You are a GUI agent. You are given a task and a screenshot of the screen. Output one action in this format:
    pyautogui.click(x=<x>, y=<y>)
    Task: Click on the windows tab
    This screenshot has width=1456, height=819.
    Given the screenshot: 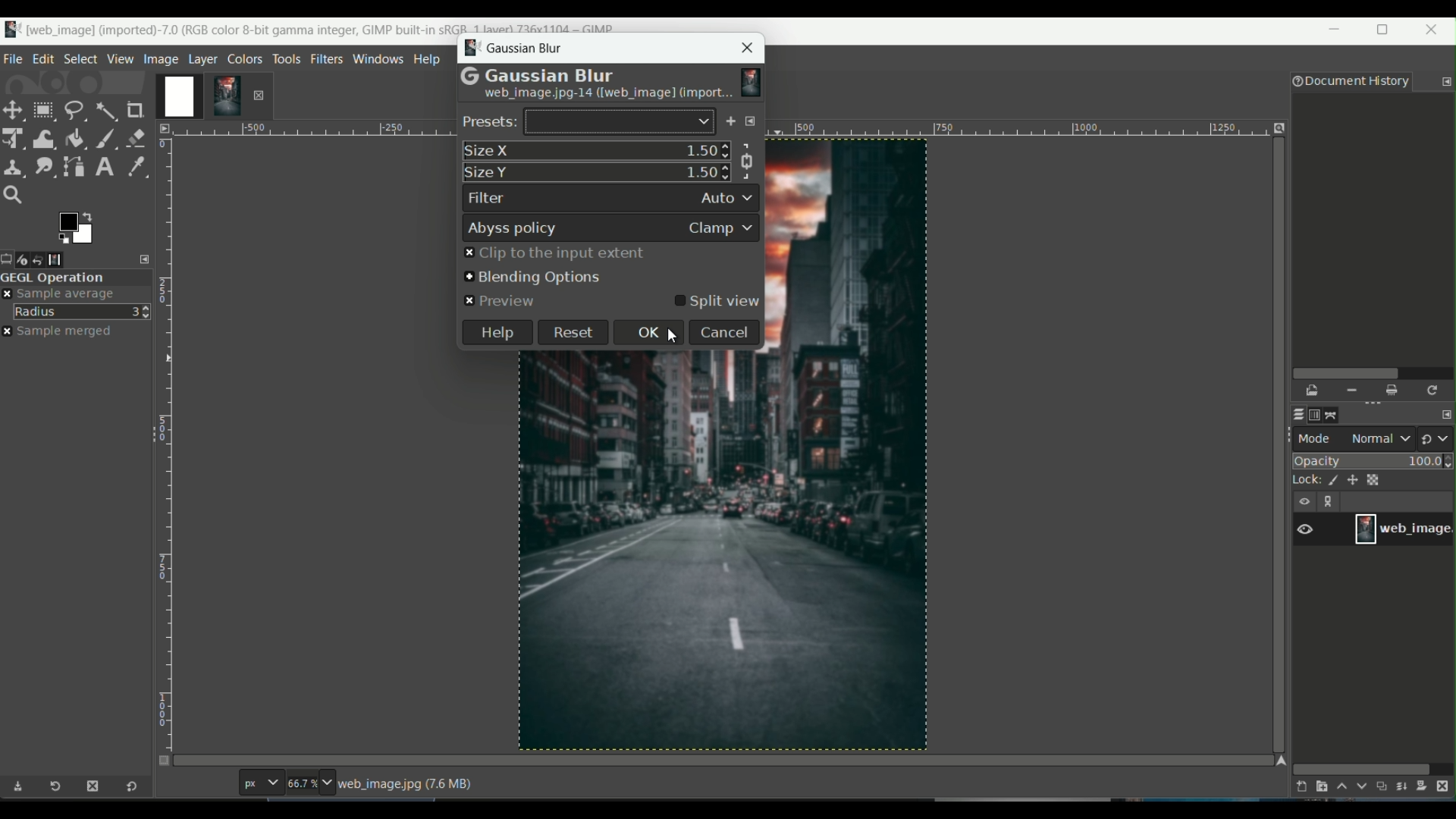 What is the action you would take?
    pyautogui.click(x=377, y=58)
    